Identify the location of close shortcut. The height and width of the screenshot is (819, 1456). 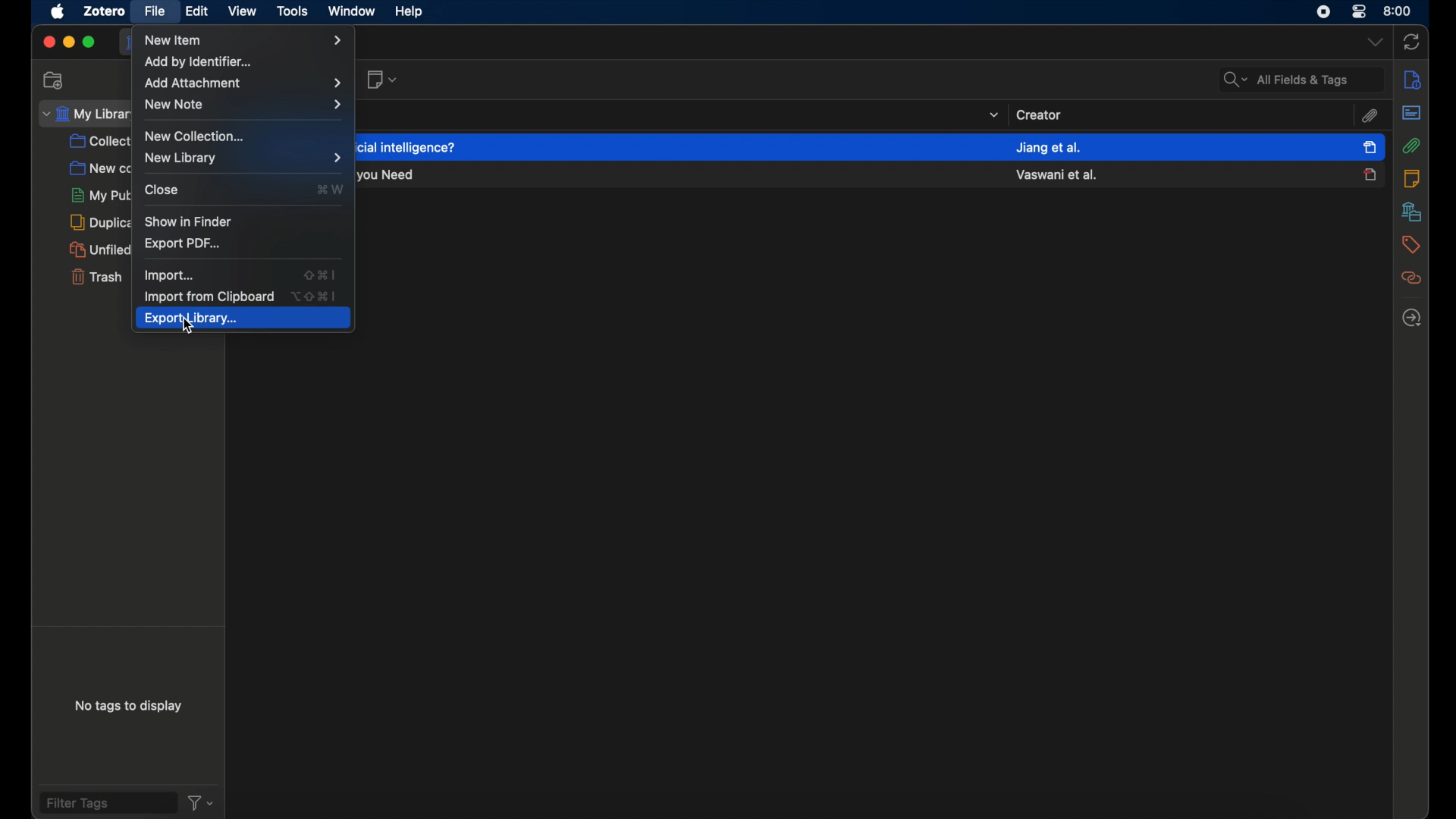
(329, 189).